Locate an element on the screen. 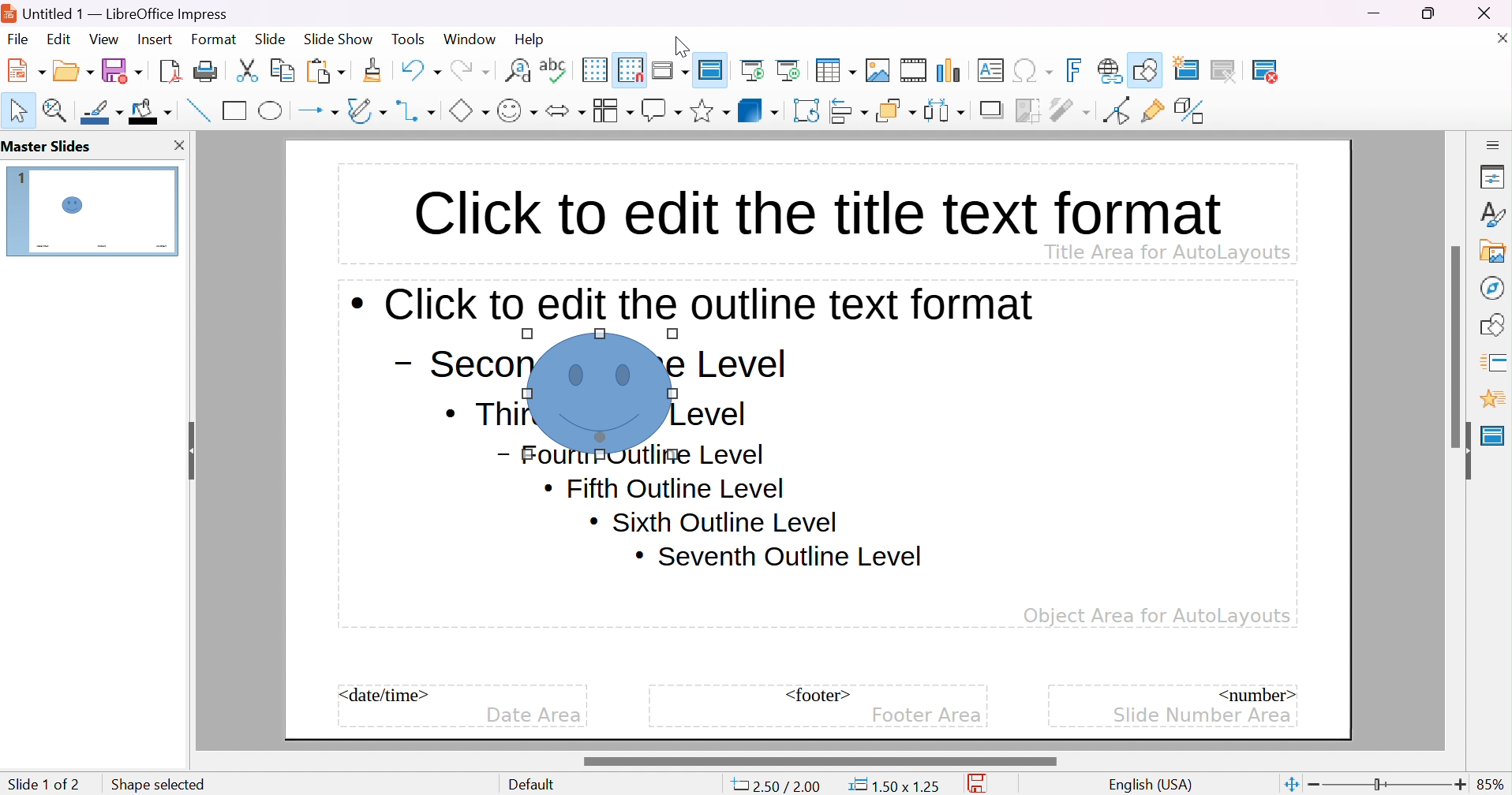 The height and width of the screenshot is (795, 1512). master slide is located at coordinates (713, 69).